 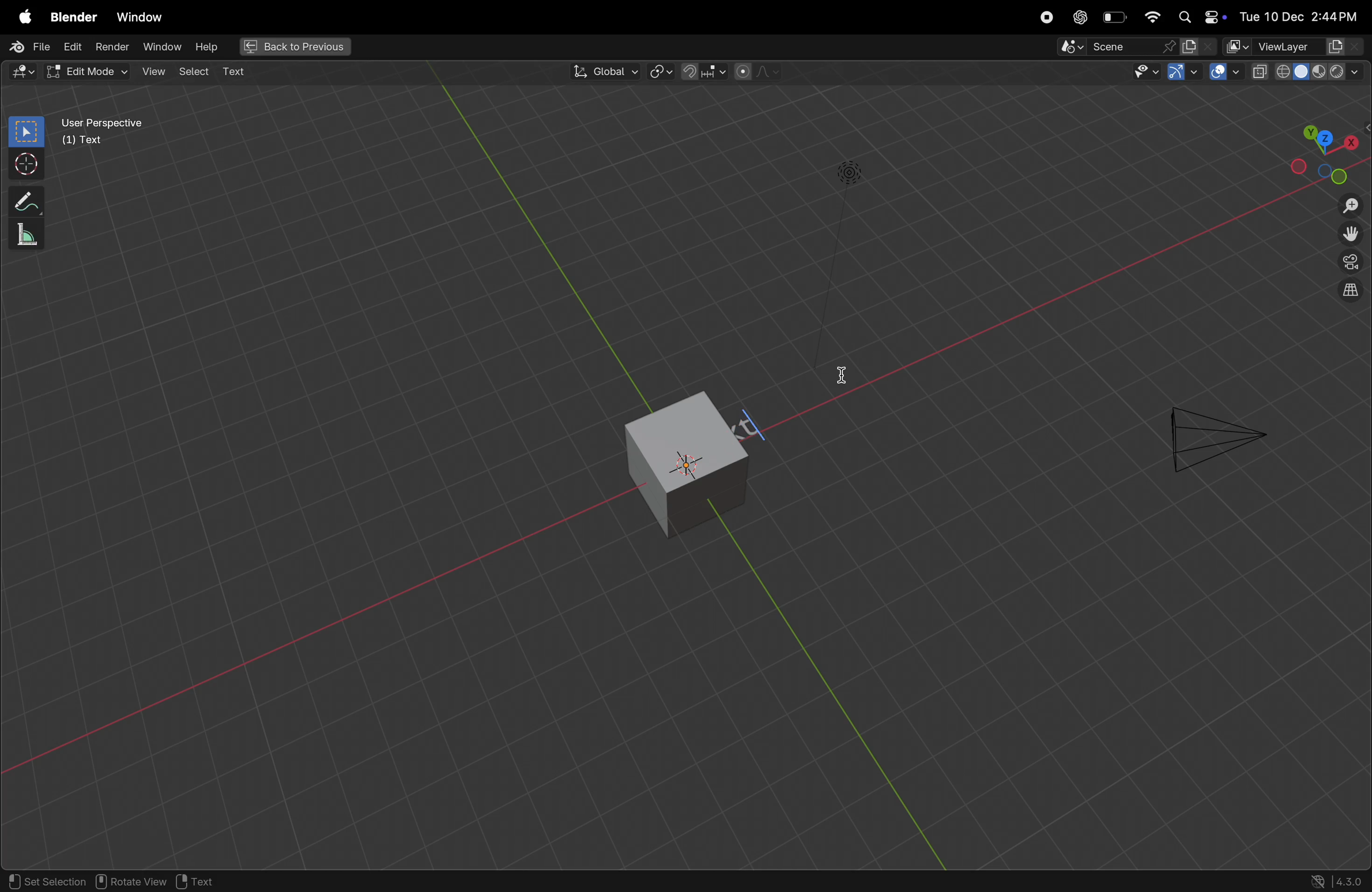 What do you see at coordinates (24, 131) in the screenshot?
I see `select` at bounding box center [24, 131].